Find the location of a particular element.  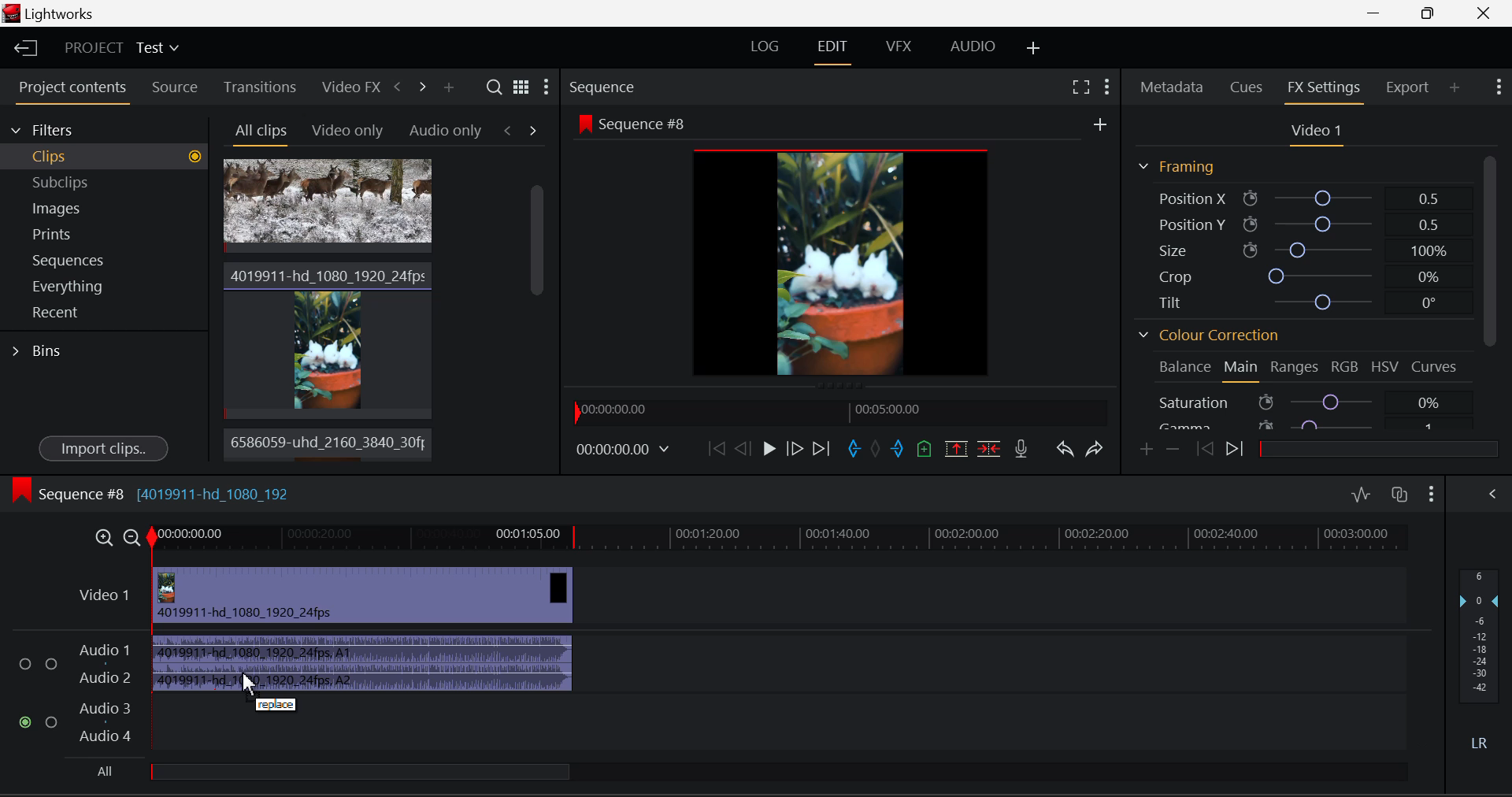

Redo is located at coordinates (1097, 449).